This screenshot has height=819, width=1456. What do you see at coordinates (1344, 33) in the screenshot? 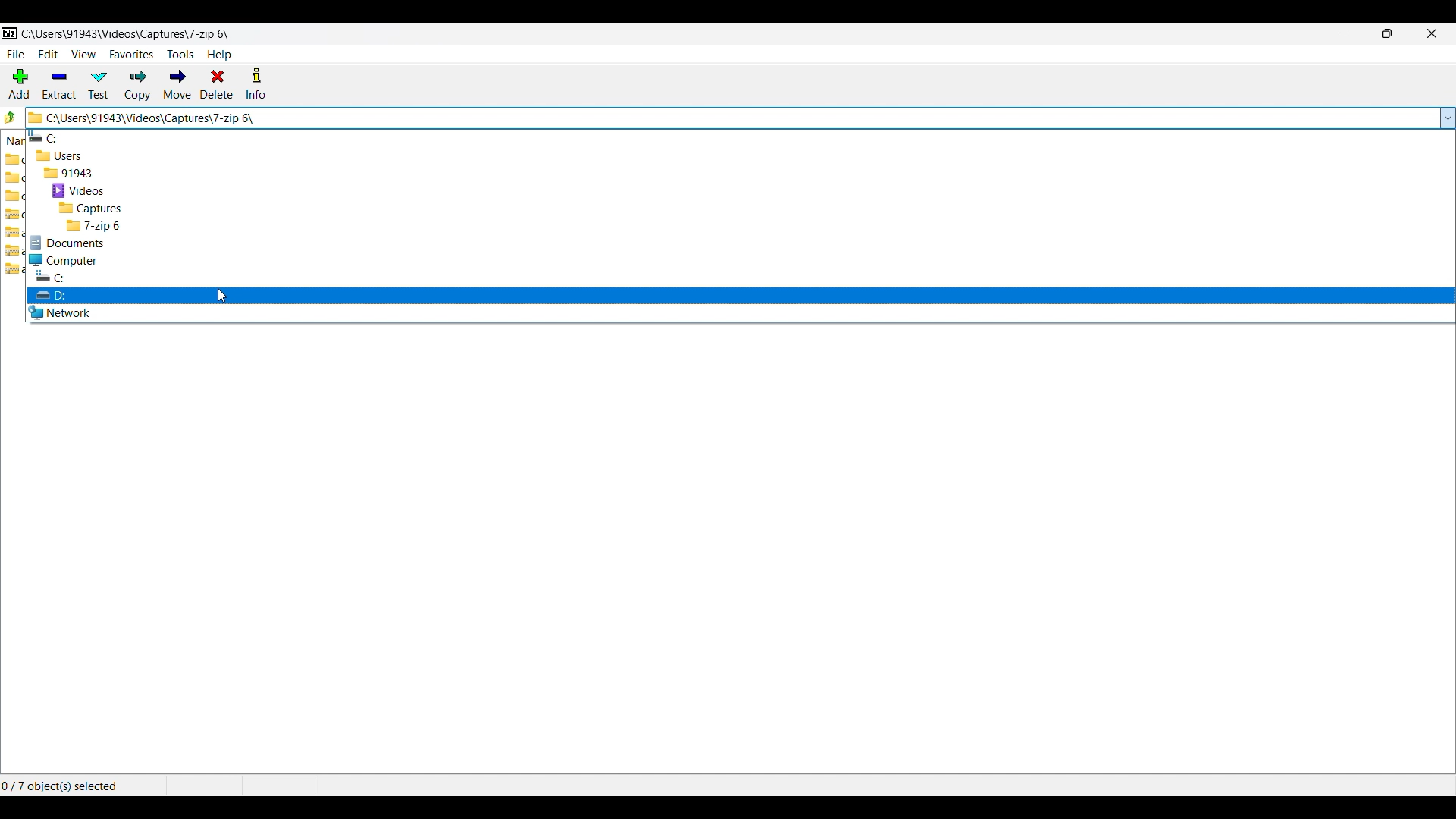
I see `Minimize` at bounding box center [1344, 33].